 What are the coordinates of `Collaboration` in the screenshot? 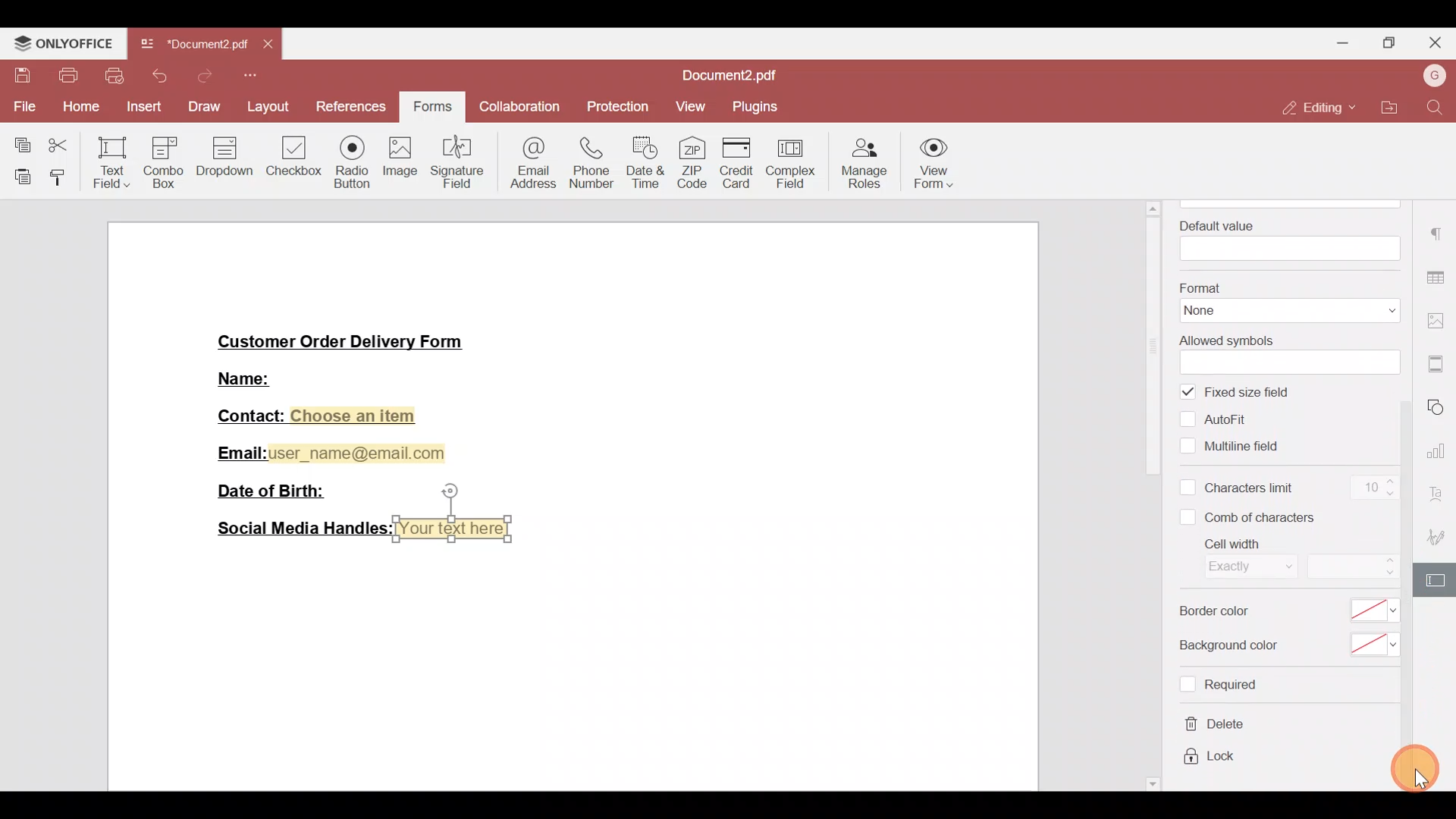 It's located at (521, 108).